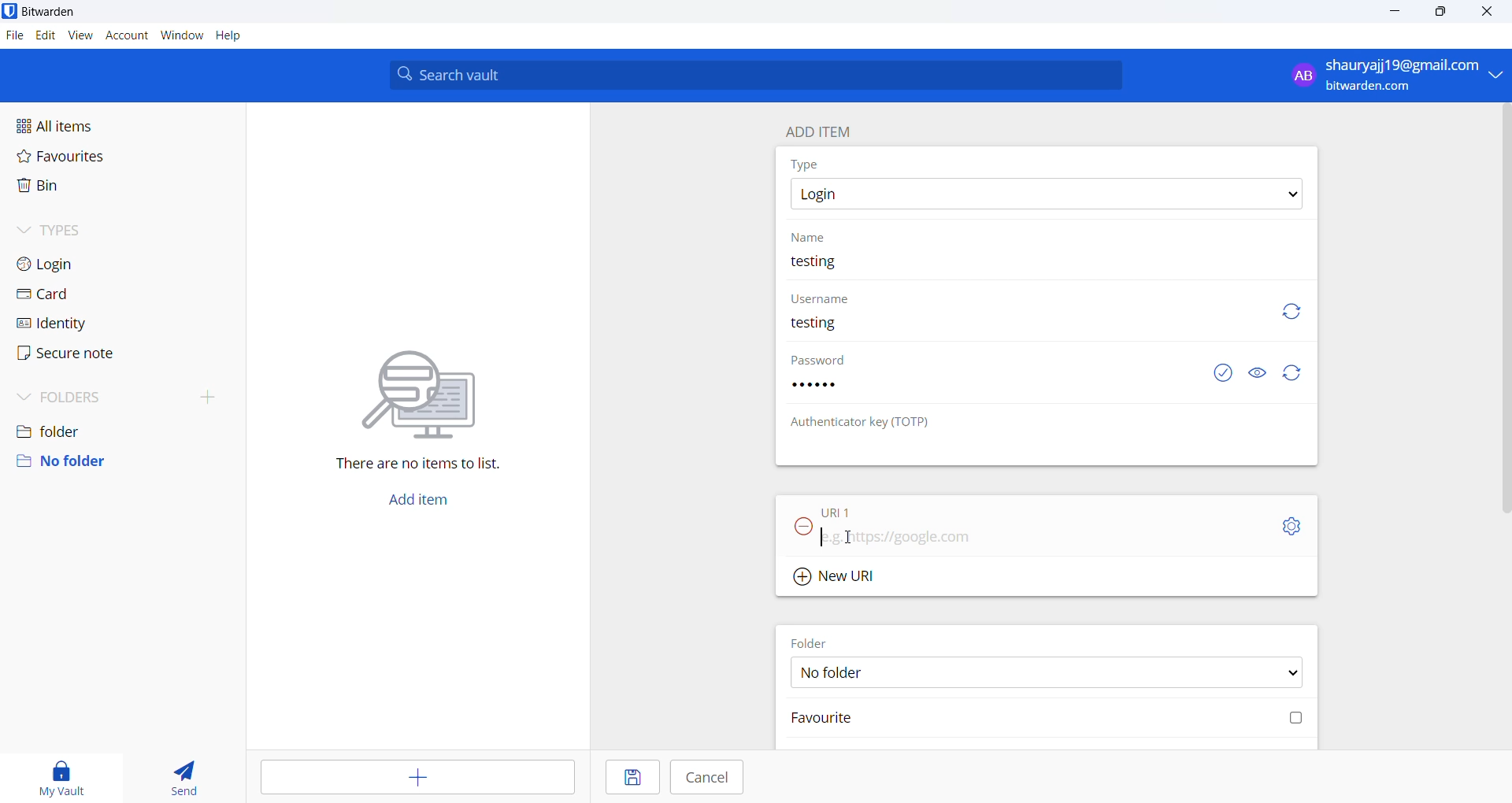 The image size is (1512, 803). Describe the element at coordinates (848, 538) in the screenshot. I see `cursor` at that location.